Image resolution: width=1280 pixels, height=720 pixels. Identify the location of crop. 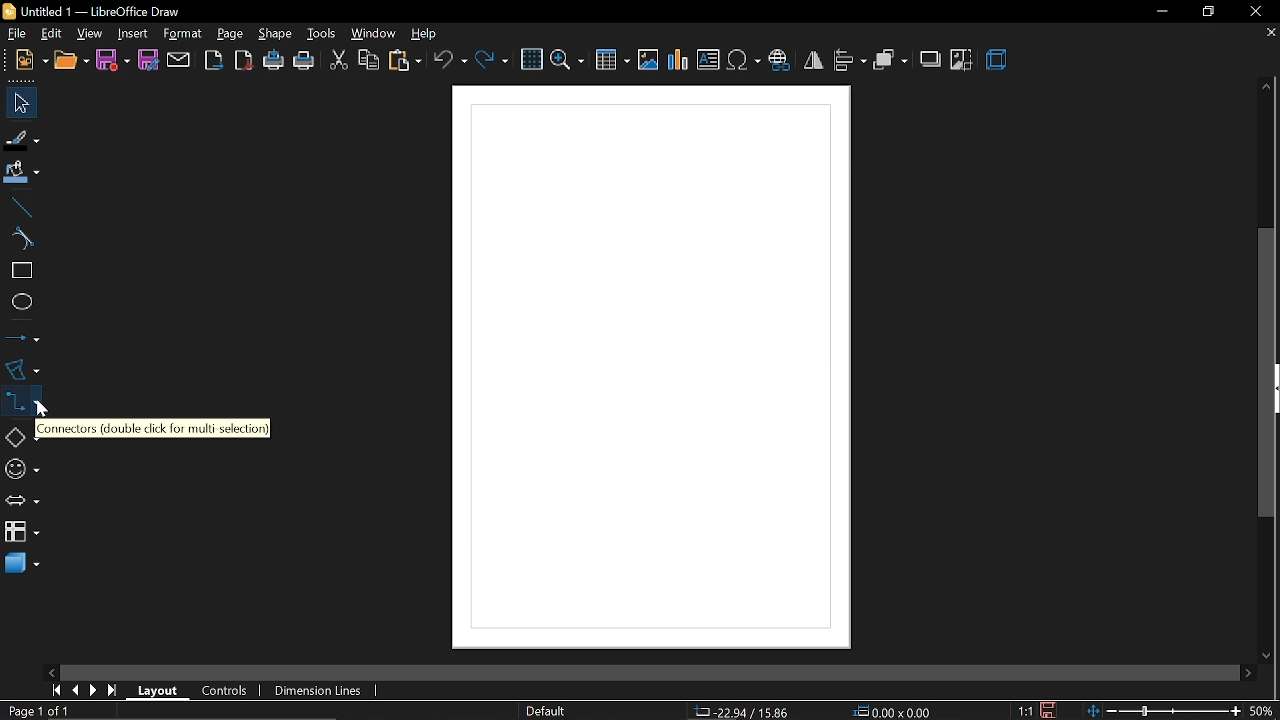
(962, 60).